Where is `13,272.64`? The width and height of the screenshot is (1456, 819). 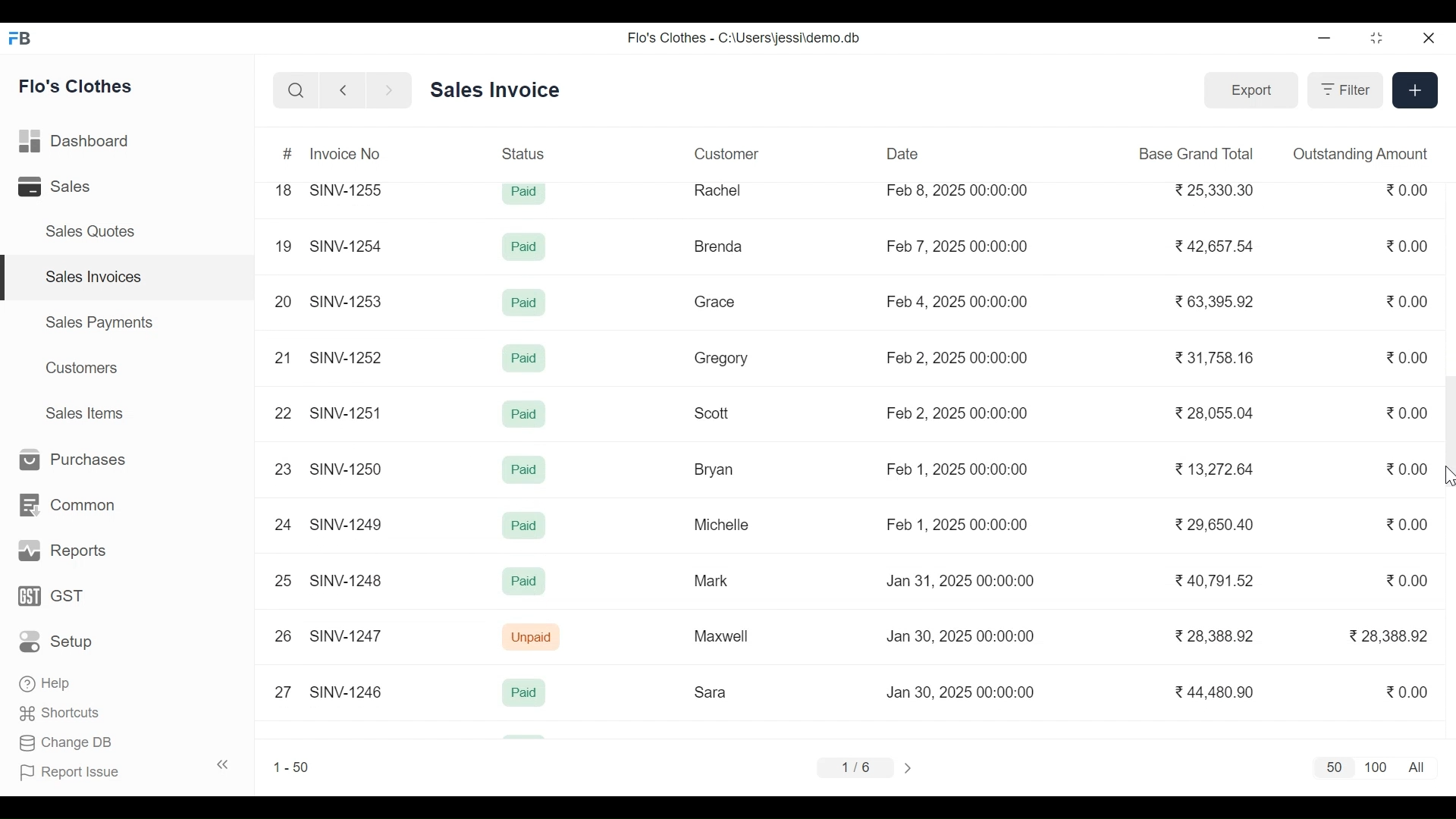 13,272.64 is located at coordinates (1215, 469).